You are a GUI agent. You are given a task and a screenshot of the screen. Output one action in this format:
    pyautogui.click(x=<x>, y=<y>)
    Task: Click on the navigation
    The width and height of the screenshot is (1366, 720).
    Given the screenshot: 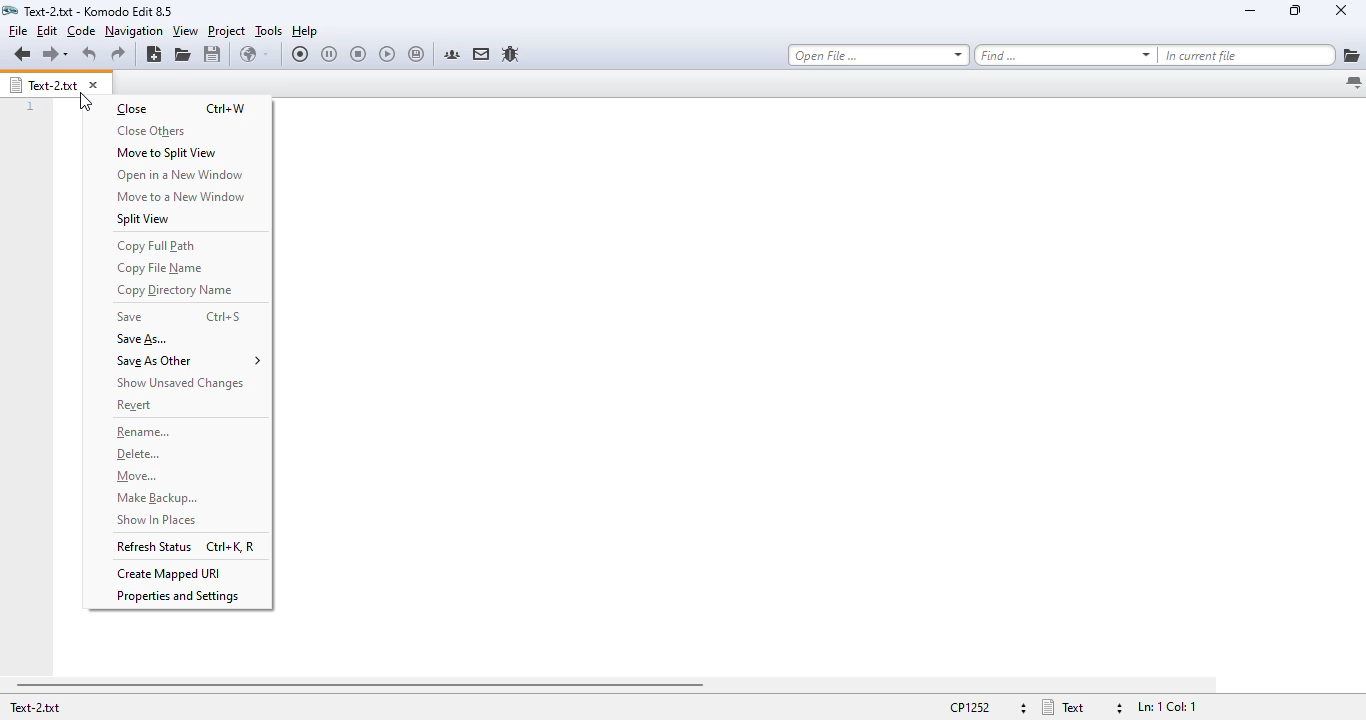 What is the action you would take?
    pyautogui.click(x=133, y=31)
    